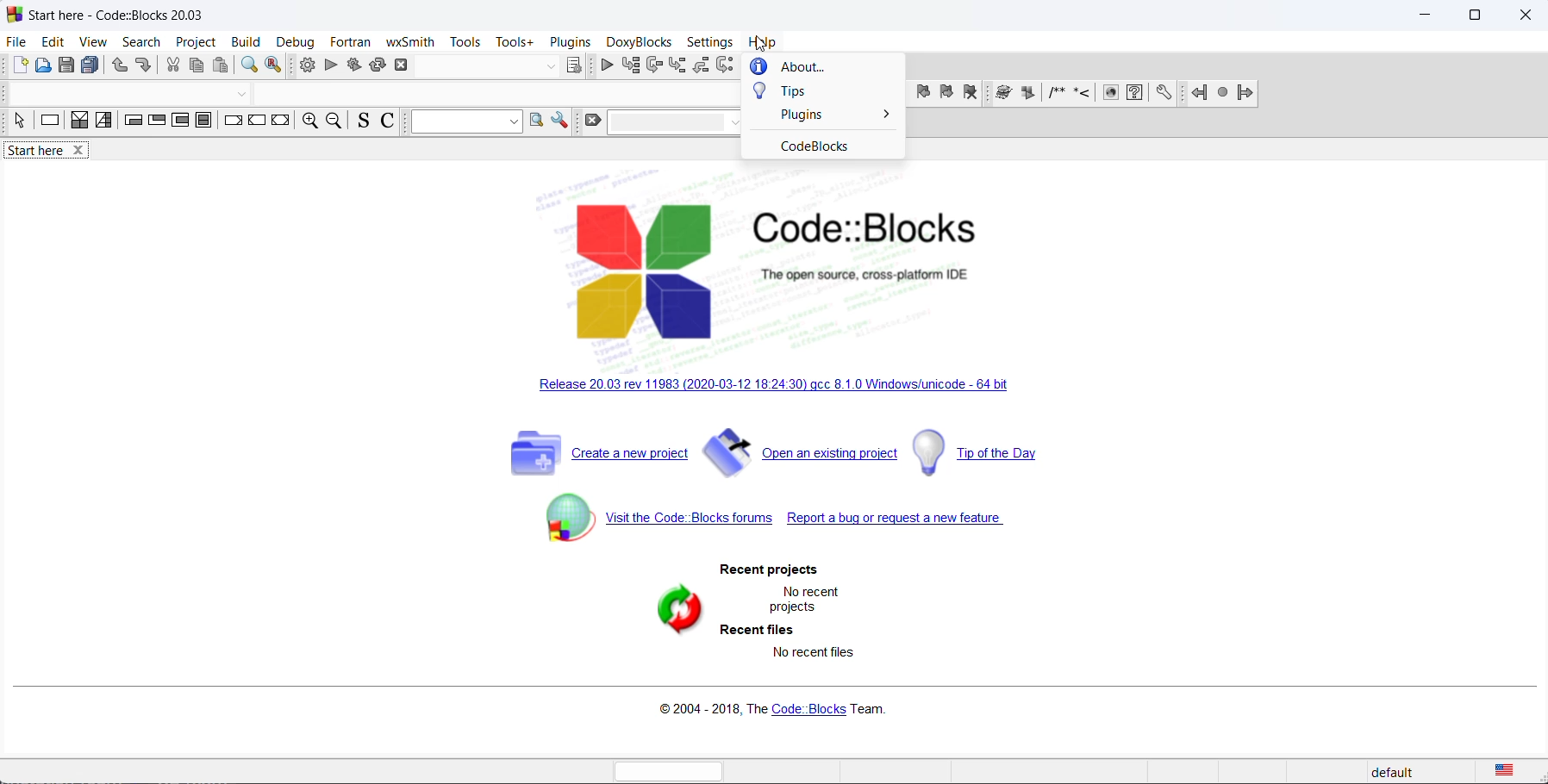 The height and width of the screenshot is (784, 1548). What do you see at coordinates (48, 123) in the screenshot?
I see `instruction` at bounding box center [48, 123].